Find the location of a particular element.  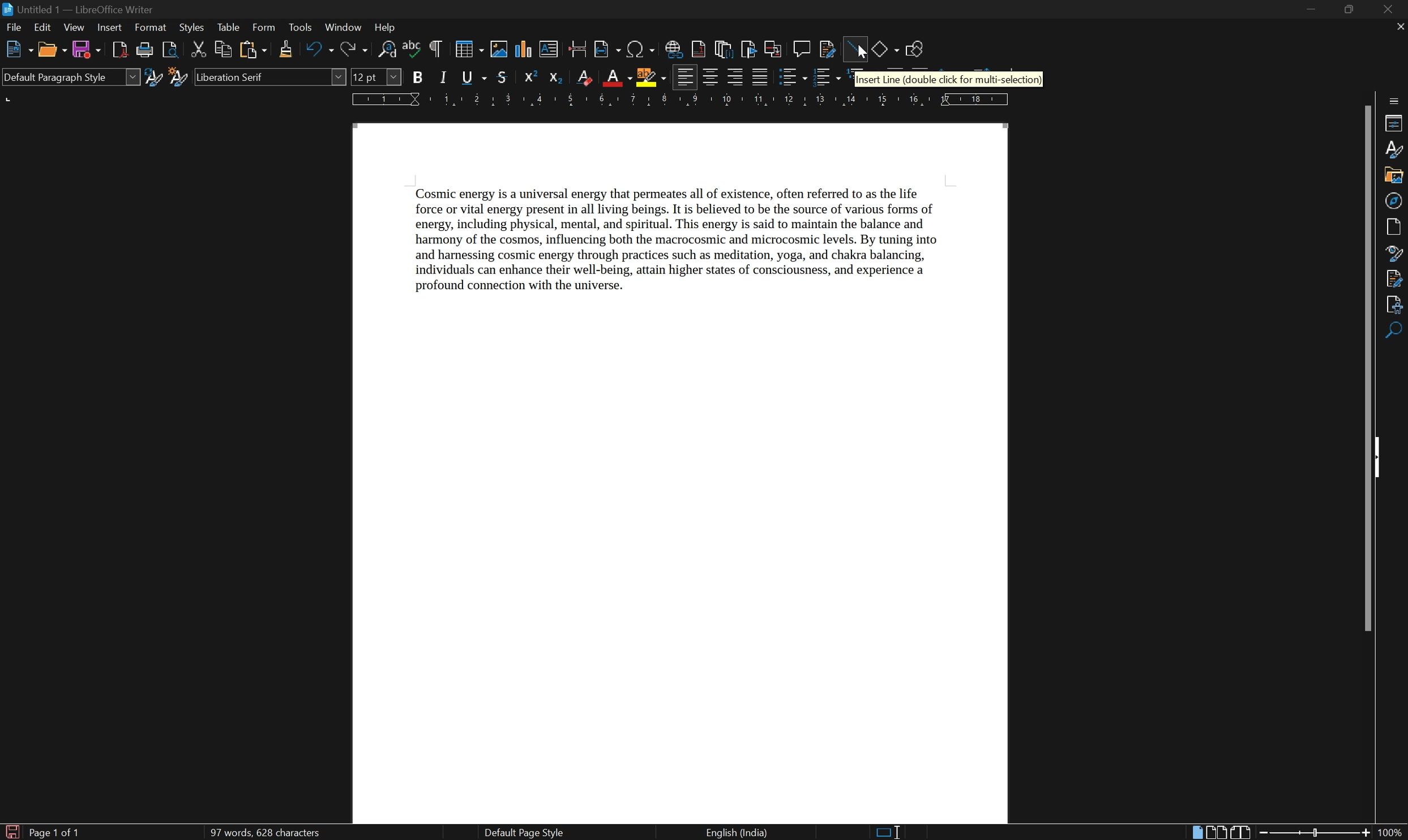

window is located at coordinates (343, 27).